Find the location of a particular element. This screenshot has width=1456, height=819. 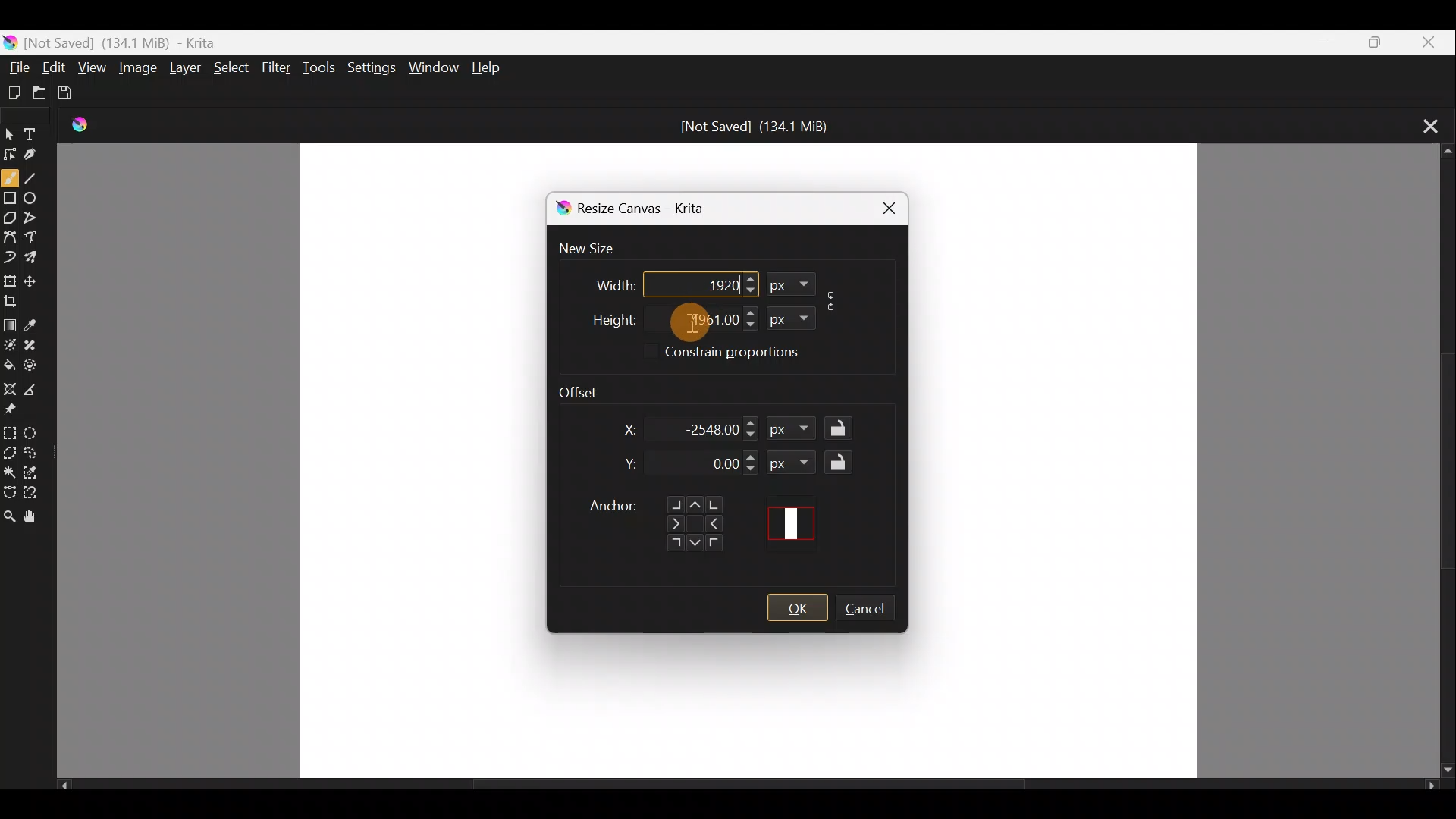

Move a layer is located at coordinates (36, 280).